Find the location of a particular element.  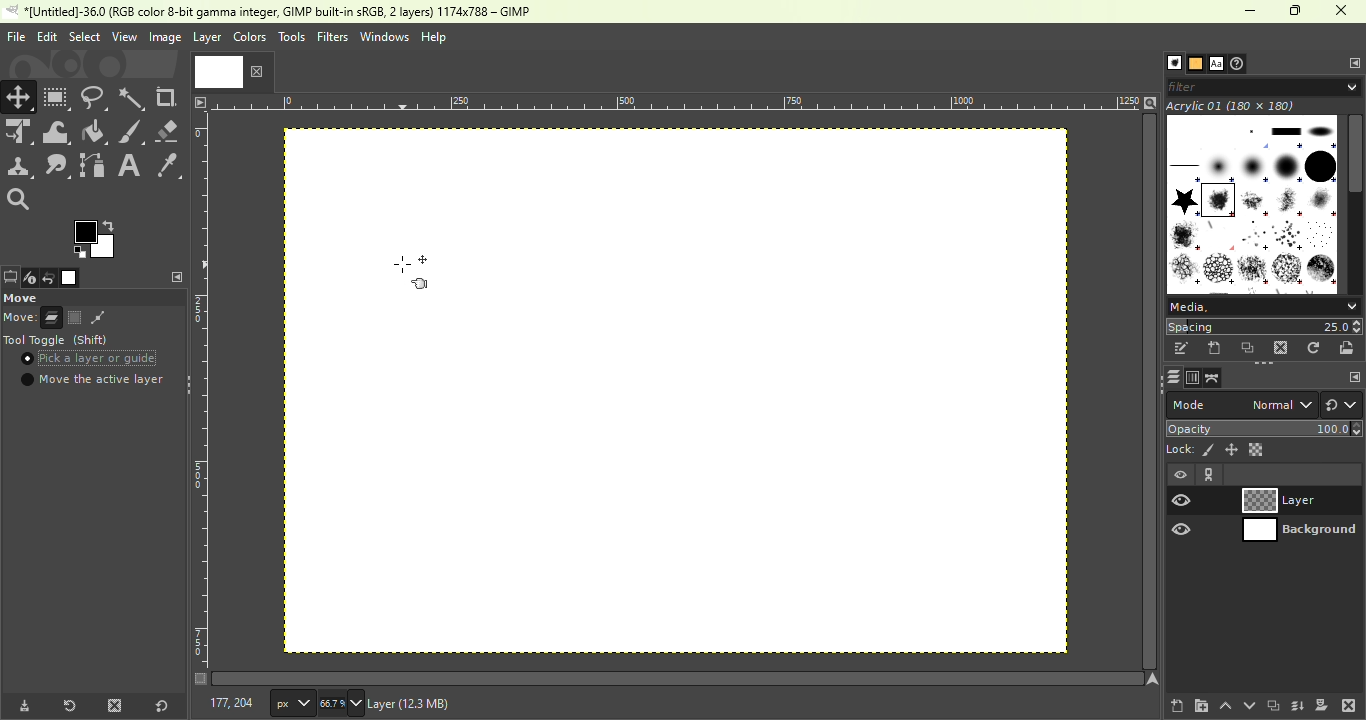

Undo history is located at coordinates (46, 279).